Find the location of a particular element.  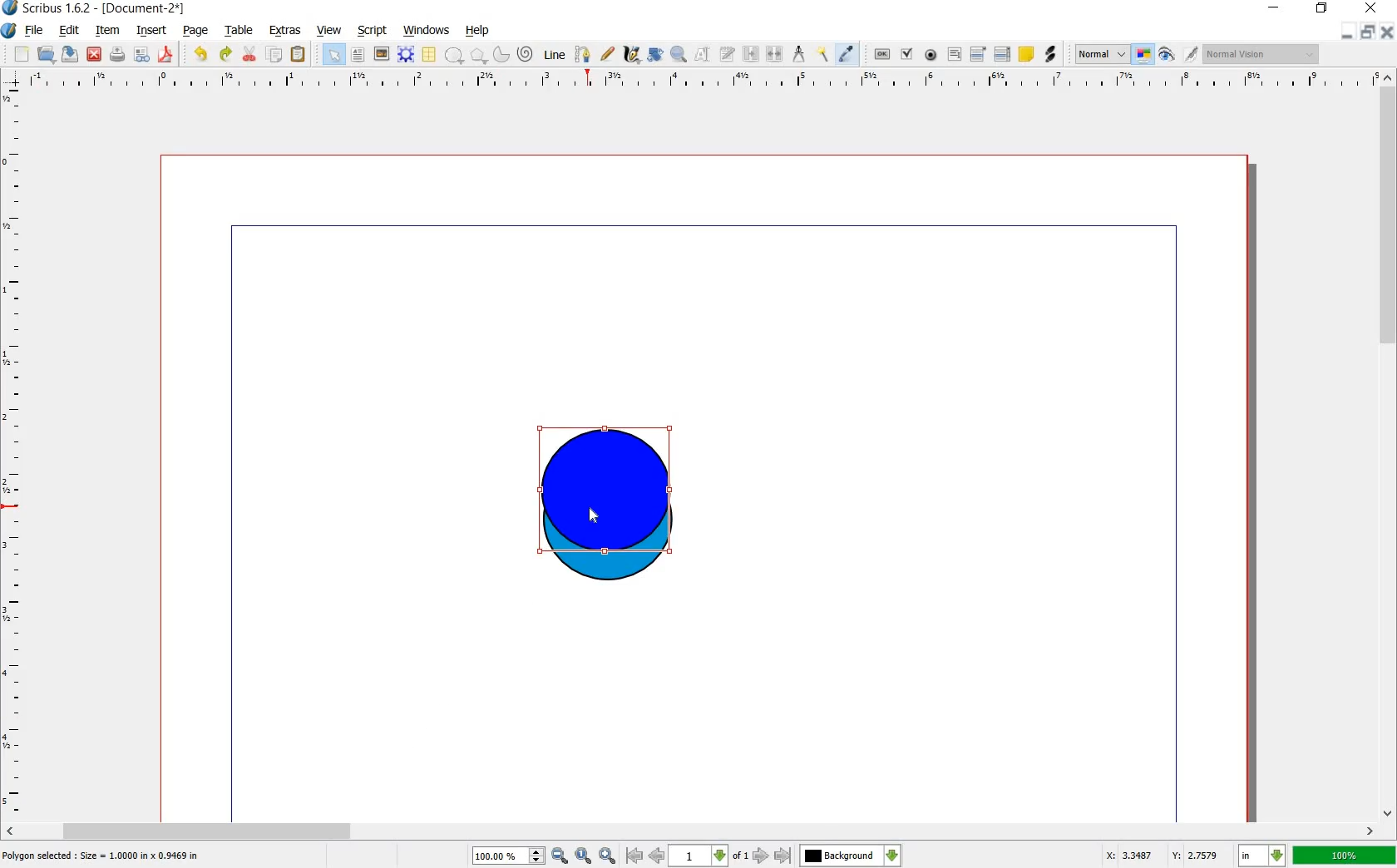

calligraphic line is located at coordinates (631, 57).